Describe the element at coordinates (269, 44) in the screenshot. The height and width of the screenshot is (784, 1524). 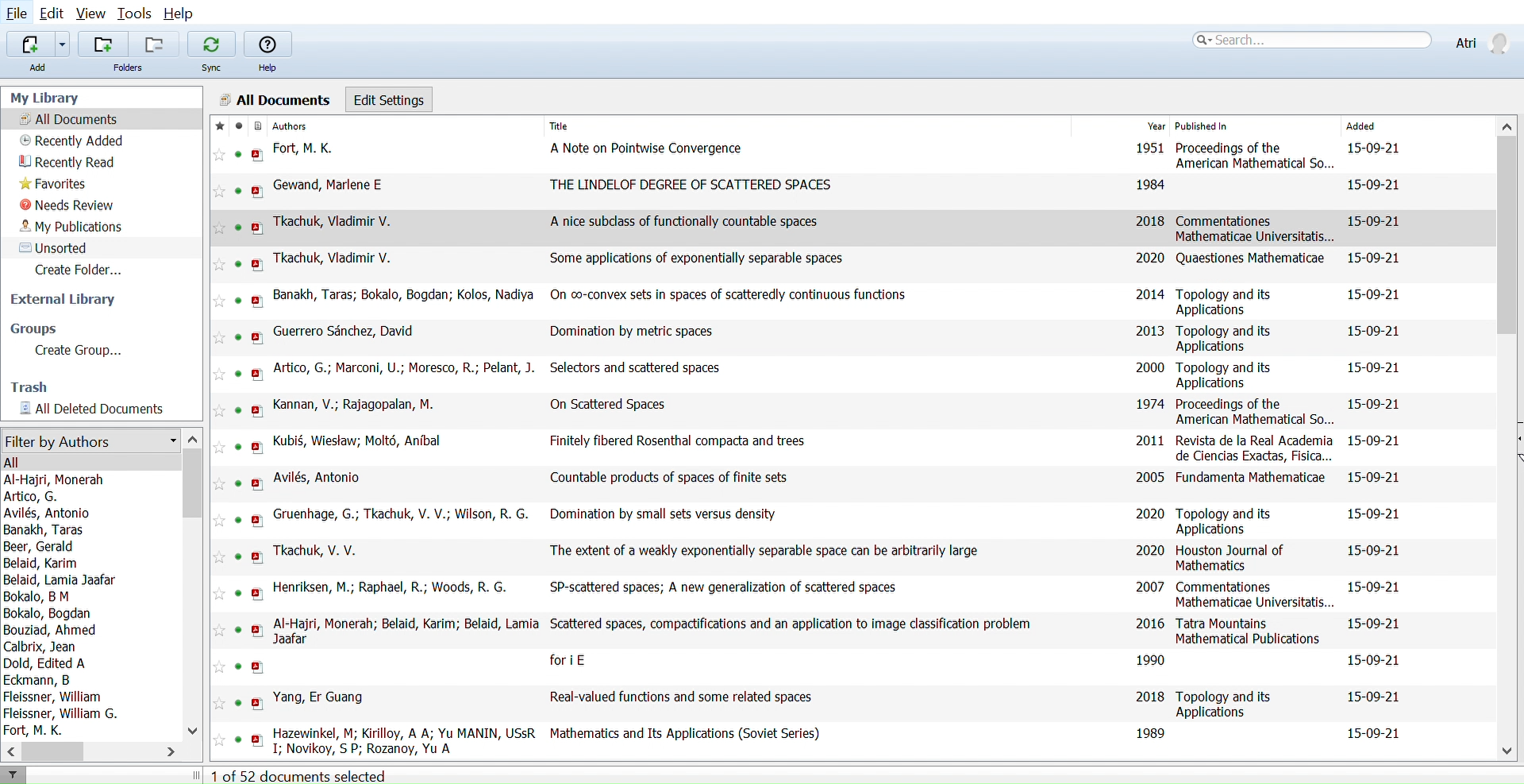
I see `Help` at that location.